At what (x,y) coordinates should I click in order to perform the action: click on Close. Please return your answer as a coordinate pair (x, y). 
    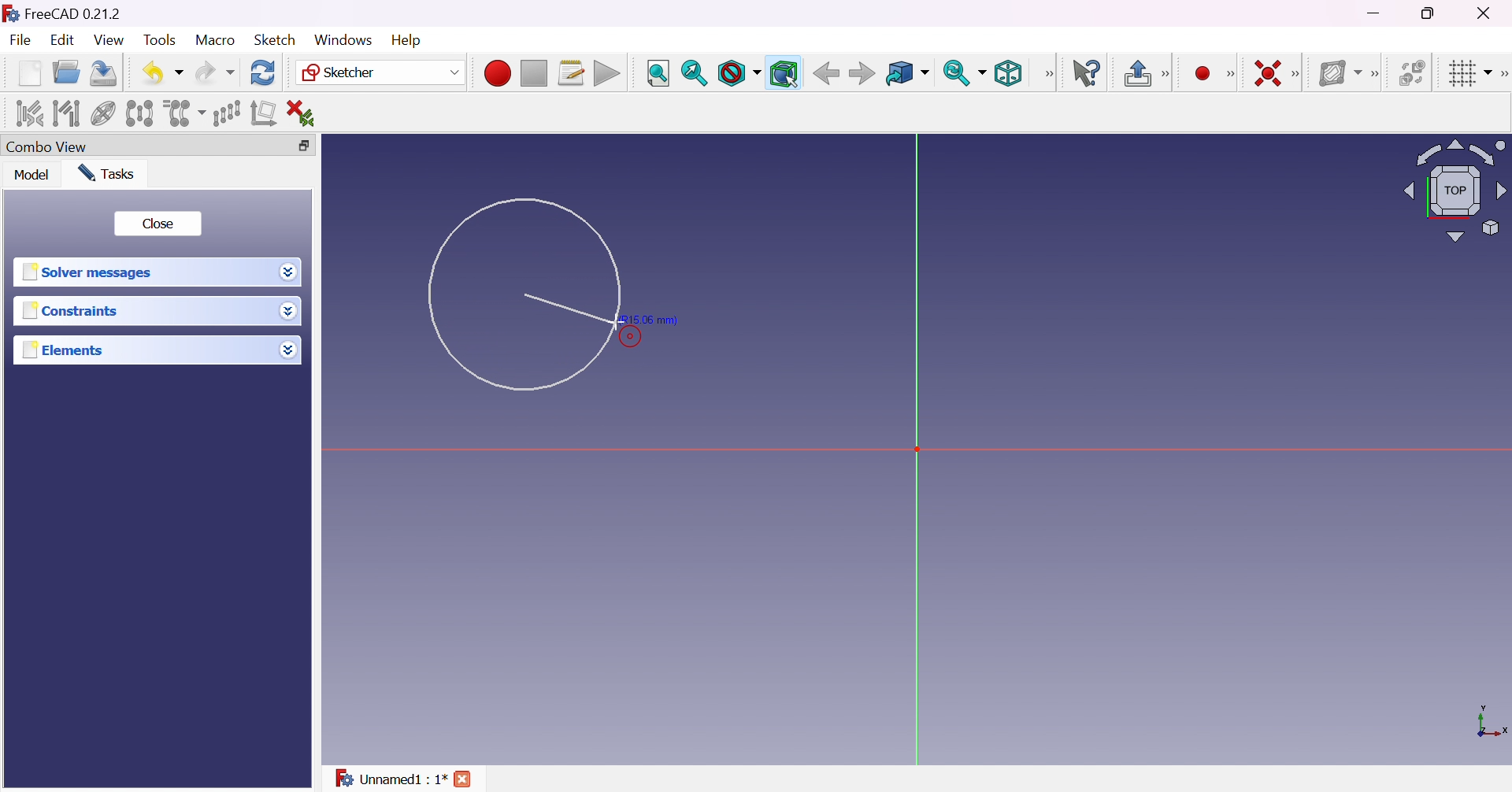
    Looking at the image, I should click on (157, 224).